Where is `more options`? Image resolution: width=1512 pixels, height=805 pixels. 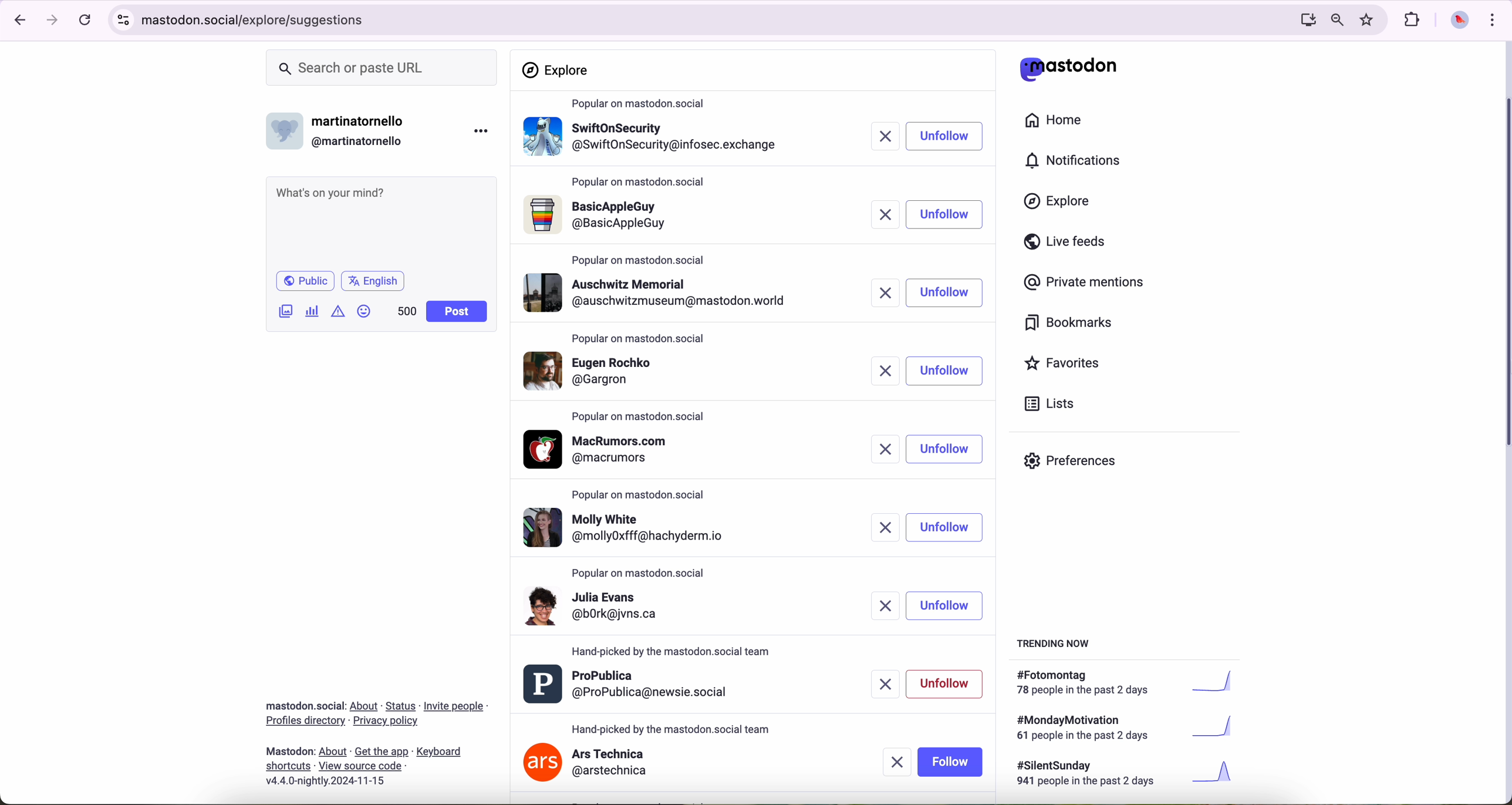 more options is located at coordinates (484, 130).